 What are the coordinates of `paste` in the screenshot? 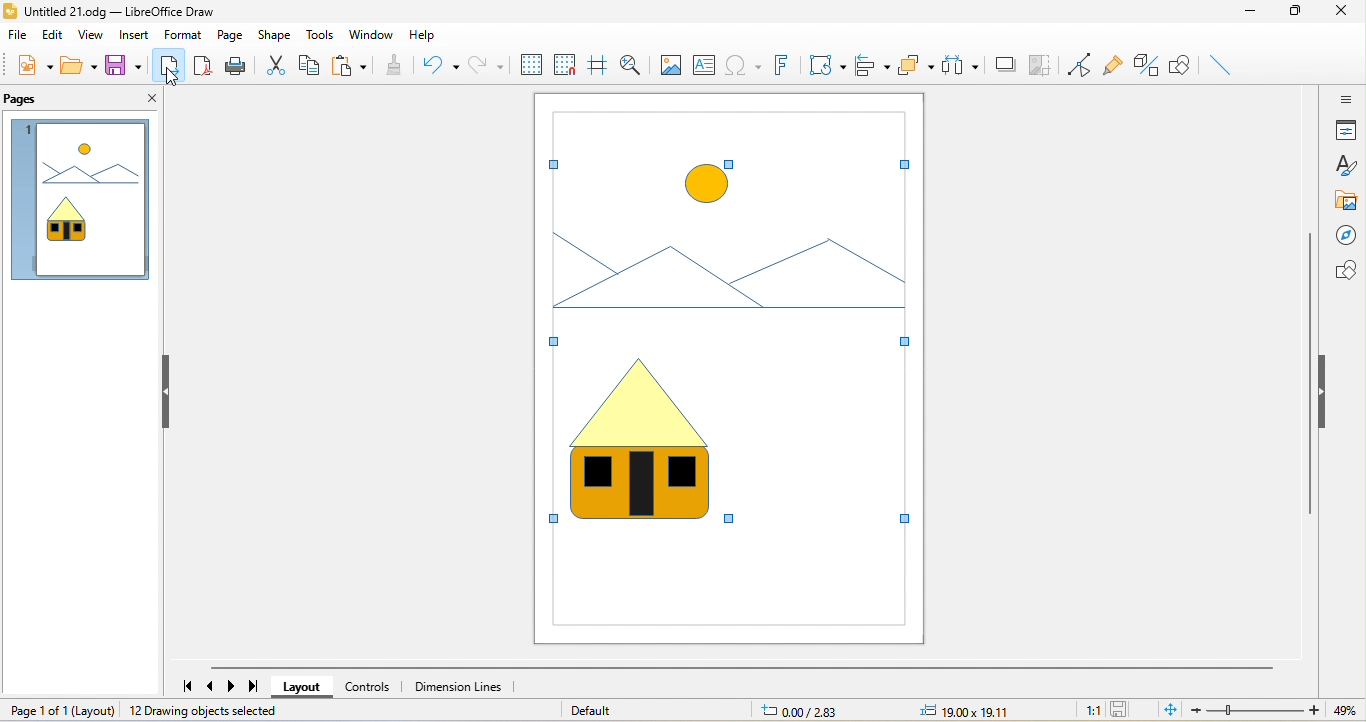 It's located at (350, 64).